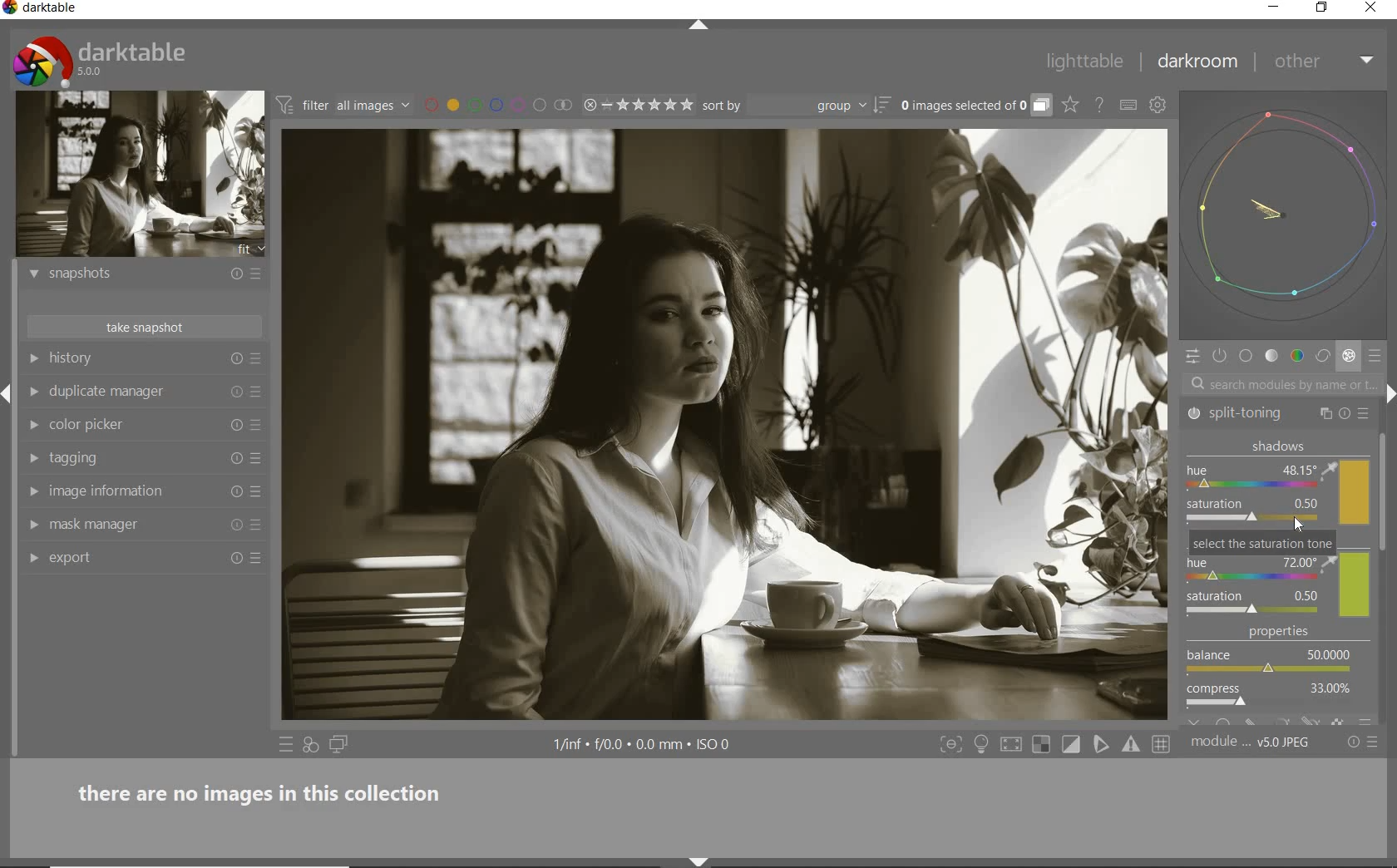 The width and height of the screenshot is (1397, 868). Describe the element at coordinates (1085, 64) in the screenshot. I see `lighttable` at that location.